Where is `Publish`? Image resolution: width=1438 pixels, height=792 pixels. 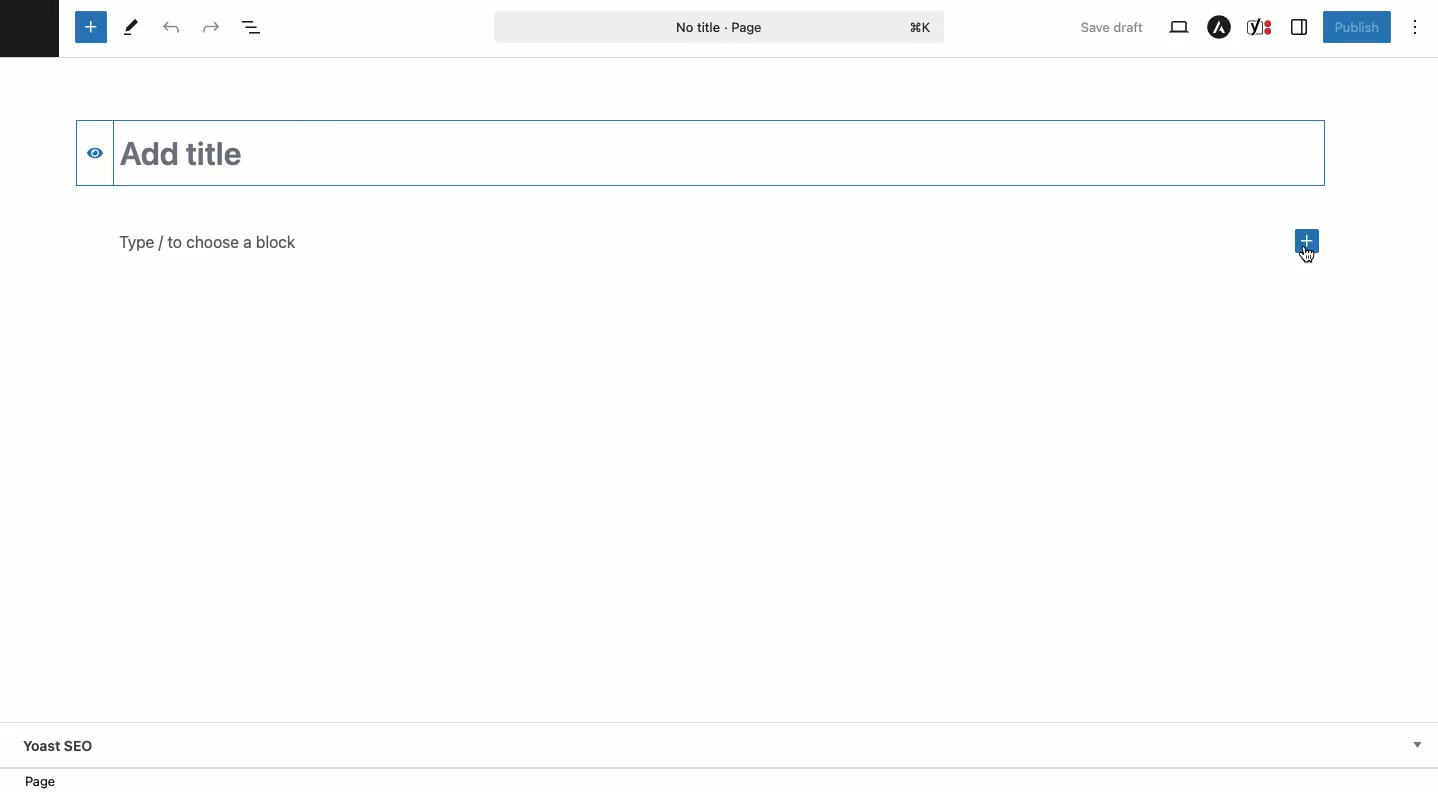 Publish is located at coordinates (1357, 29).